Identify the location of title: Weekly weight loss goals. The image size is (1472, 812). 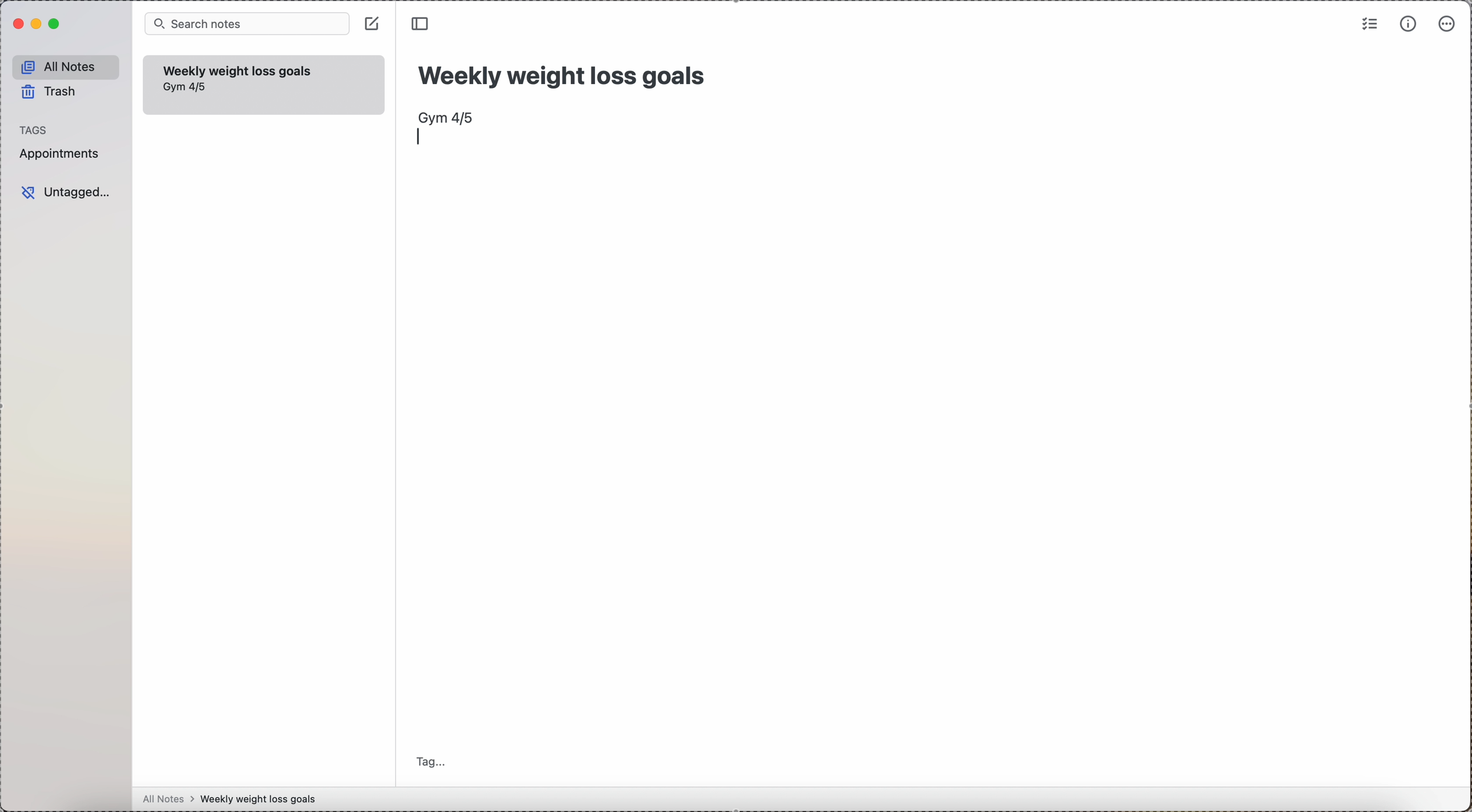
(565, 73).